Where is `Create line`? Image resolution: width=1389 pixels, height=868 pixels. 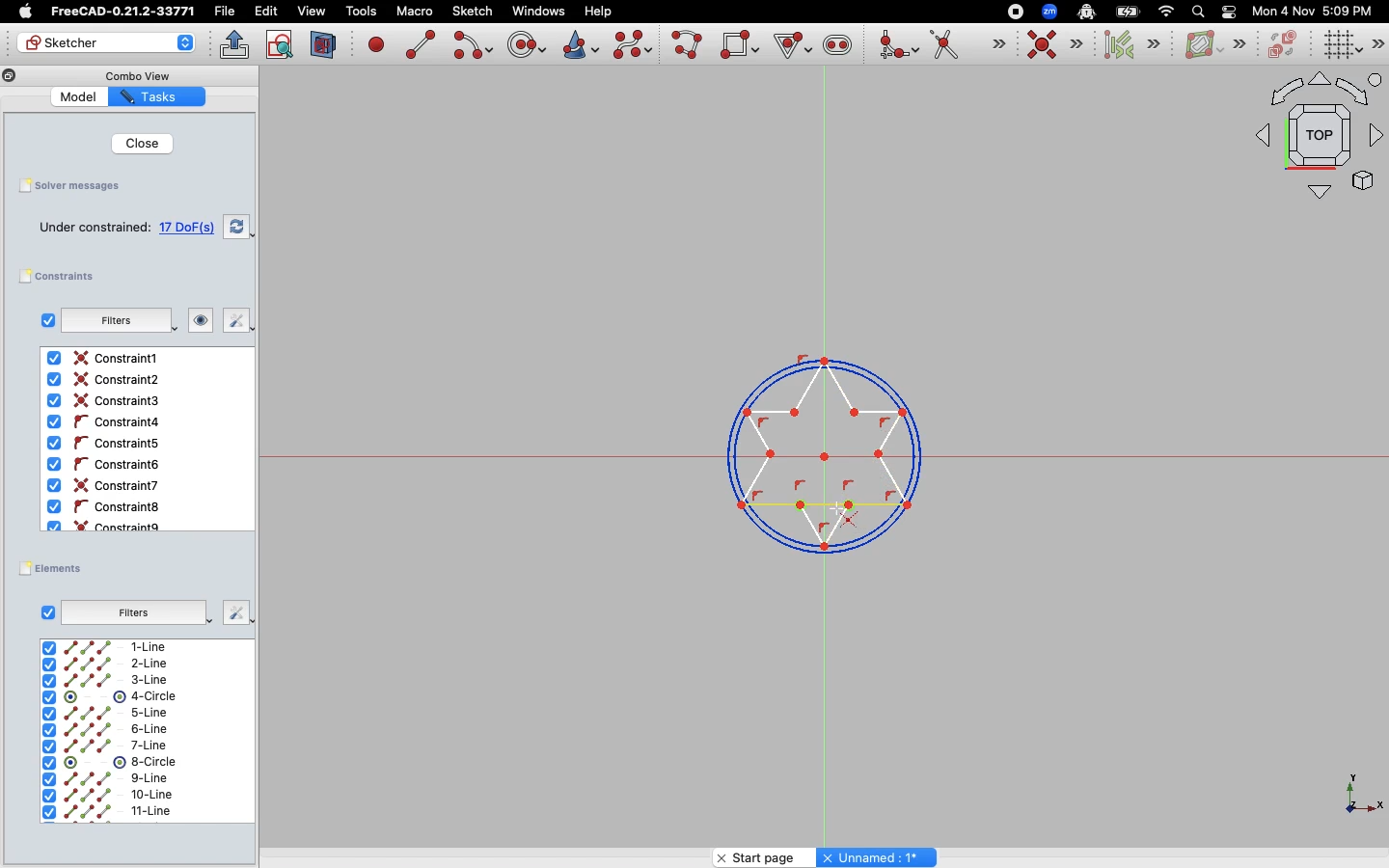
Create line is located at coordinates (421, 44).